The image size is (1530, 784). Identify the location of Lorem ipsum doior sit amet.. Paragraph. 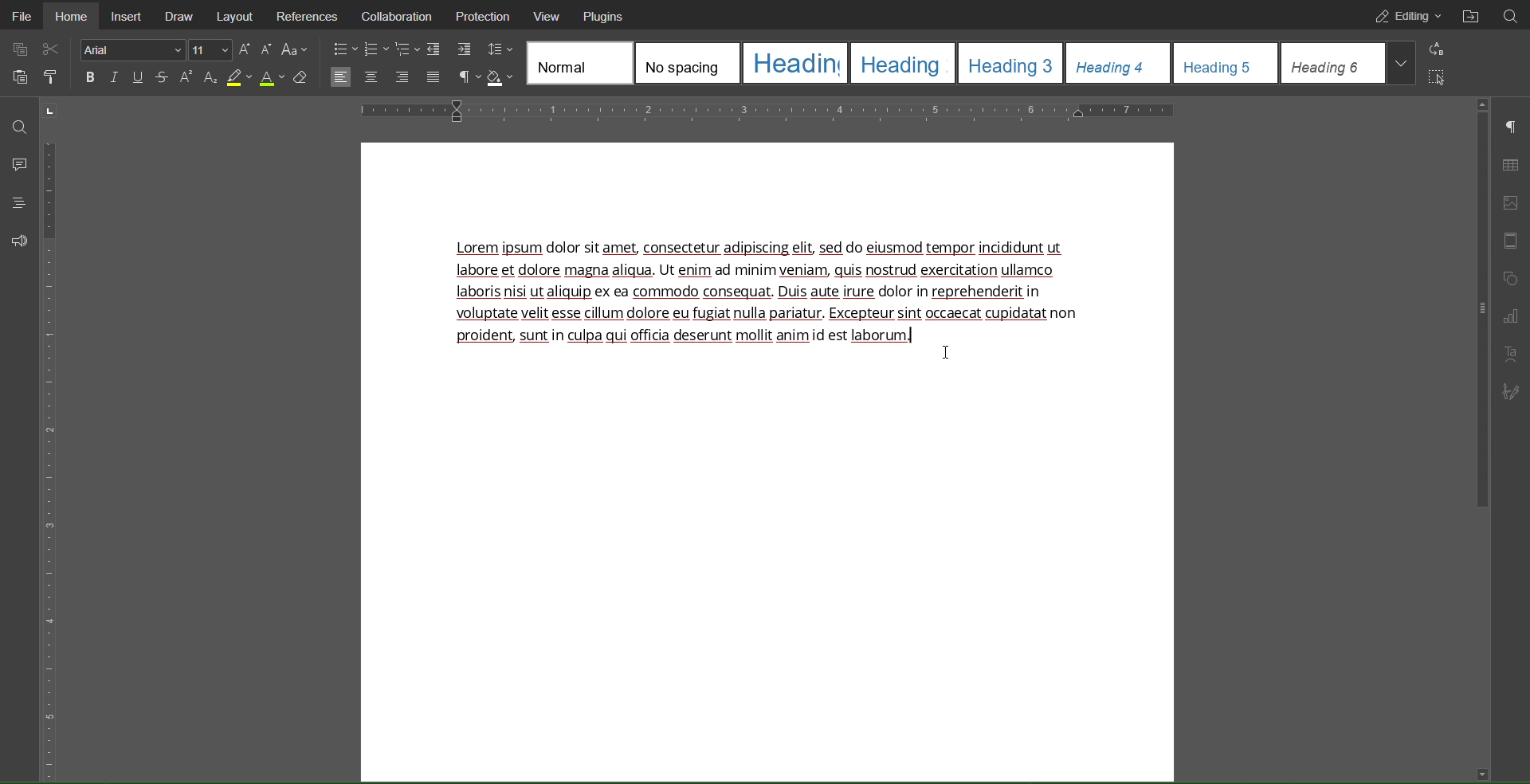
(769, 299).